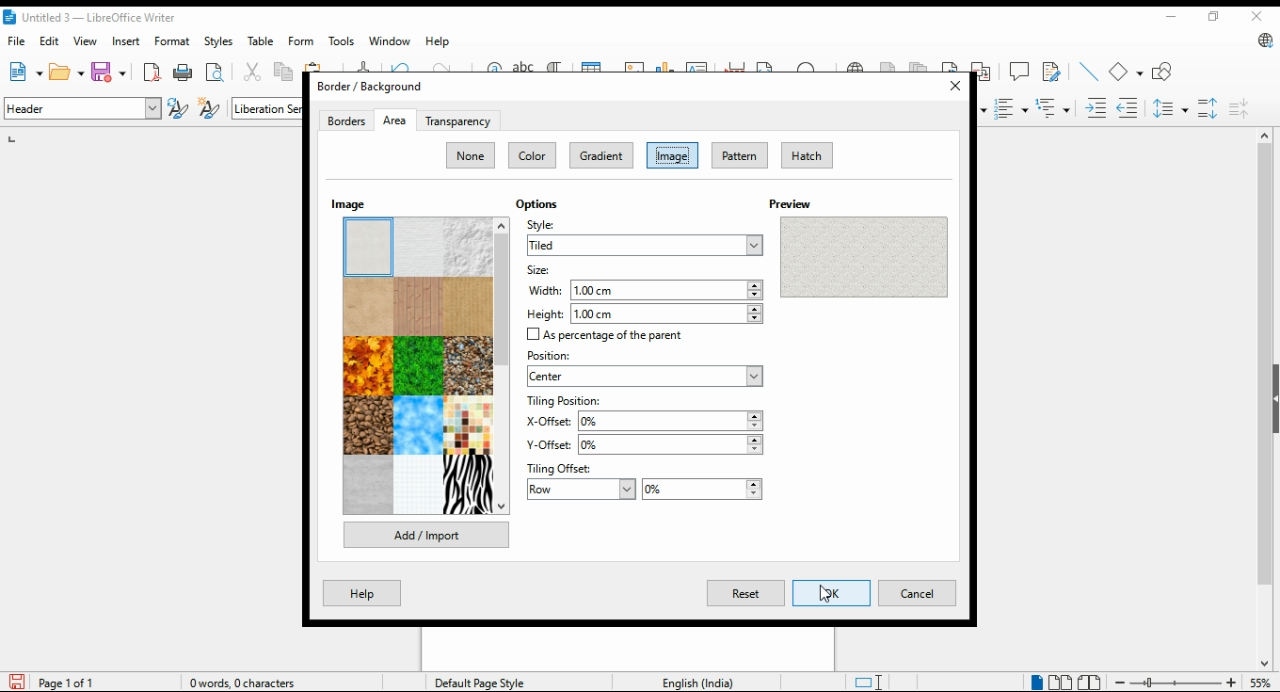 This screenshot has width=1280, height=692. Describe the element at coordinates (365, 65) in the screenshot. I see `clone formatting` at that location.